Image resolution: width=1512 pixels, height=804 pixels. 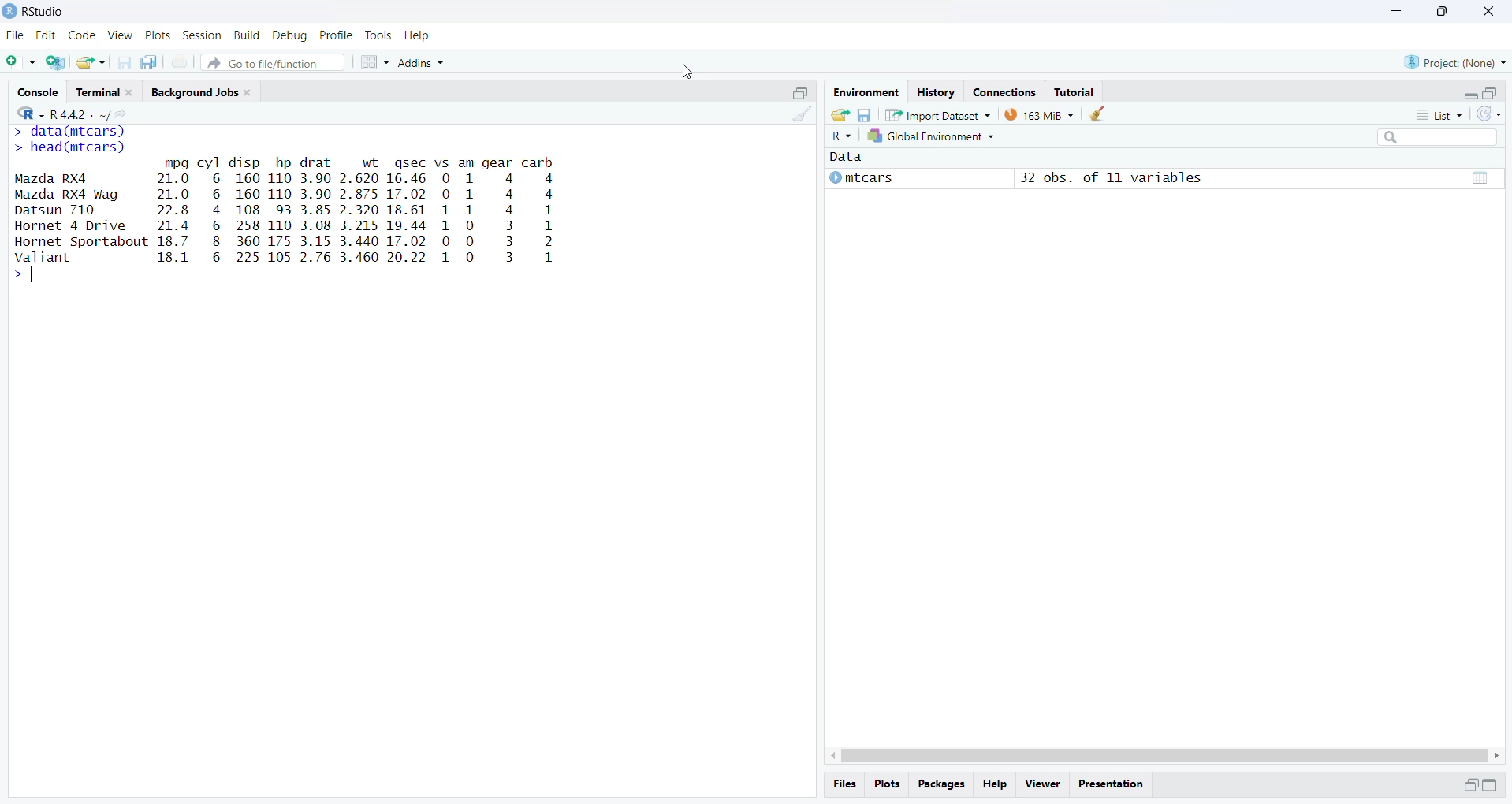 What do you see at coordinates (803, 114) in the screenshot?
I see `clean` at bounding box center [803, 114].